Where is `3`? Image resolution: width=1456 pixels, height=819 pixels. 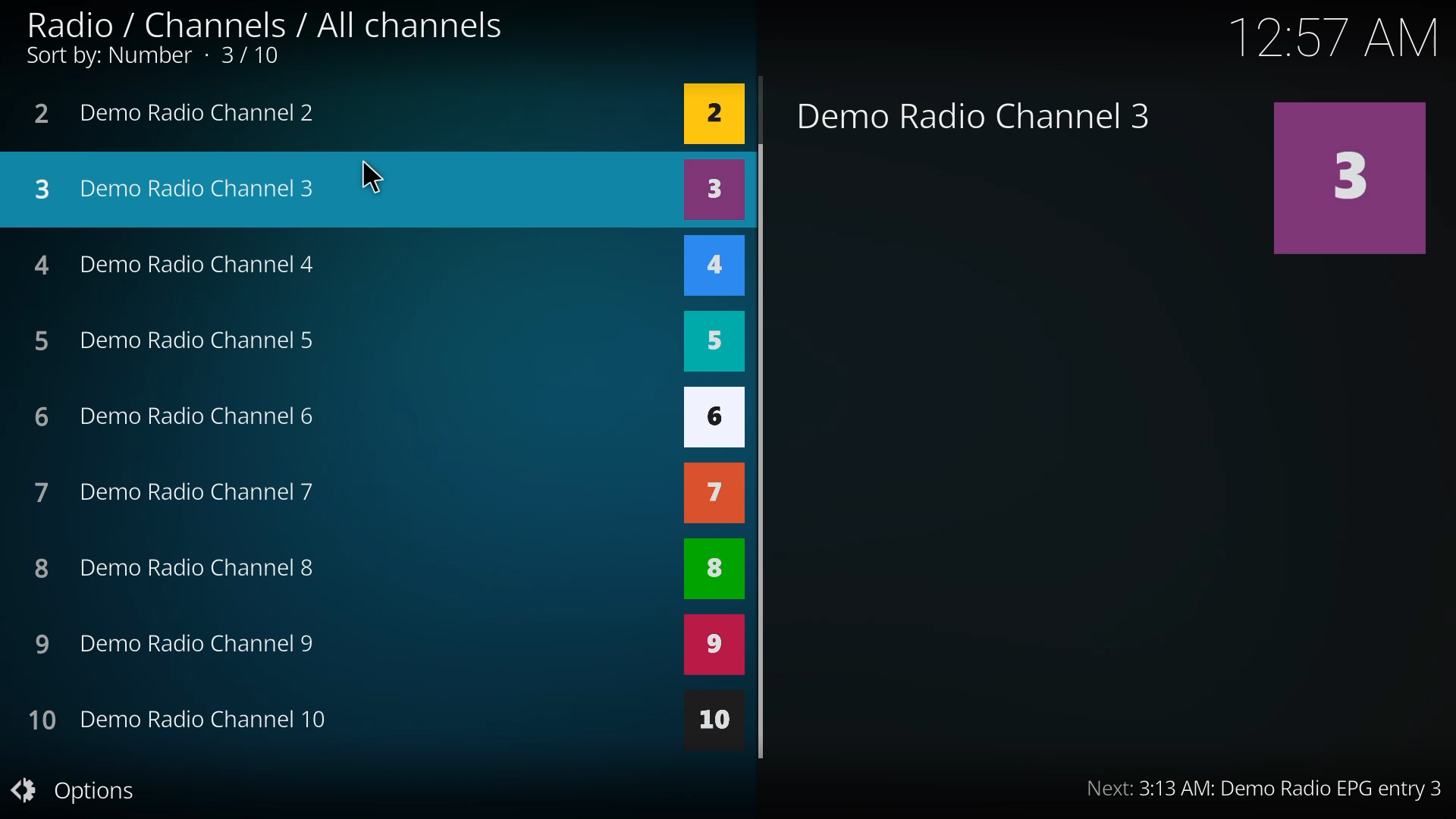 3 is located at coordinates (1346, 182).